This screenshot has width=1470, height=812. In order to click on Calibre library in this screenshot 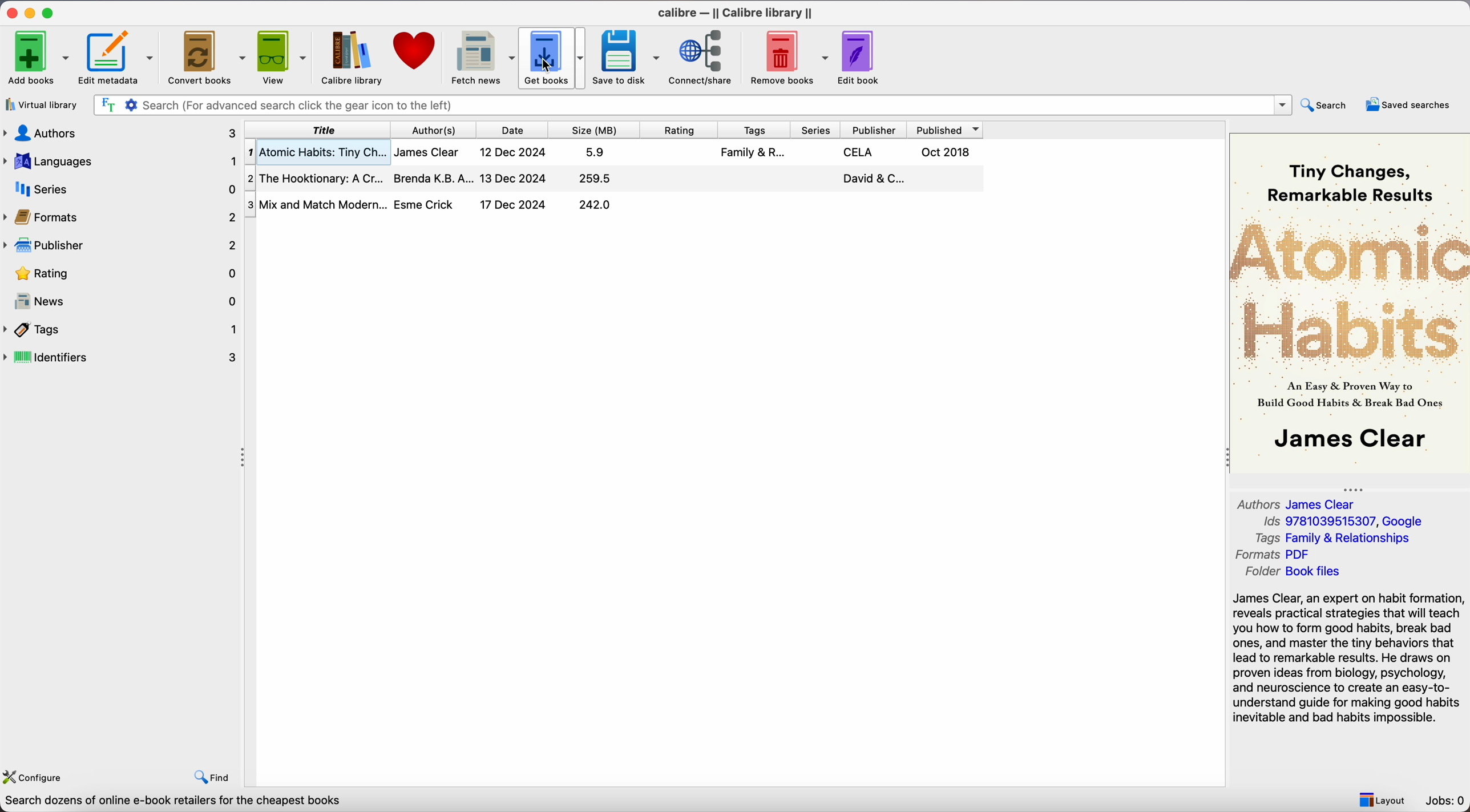, I will do `click(349, 57)`.